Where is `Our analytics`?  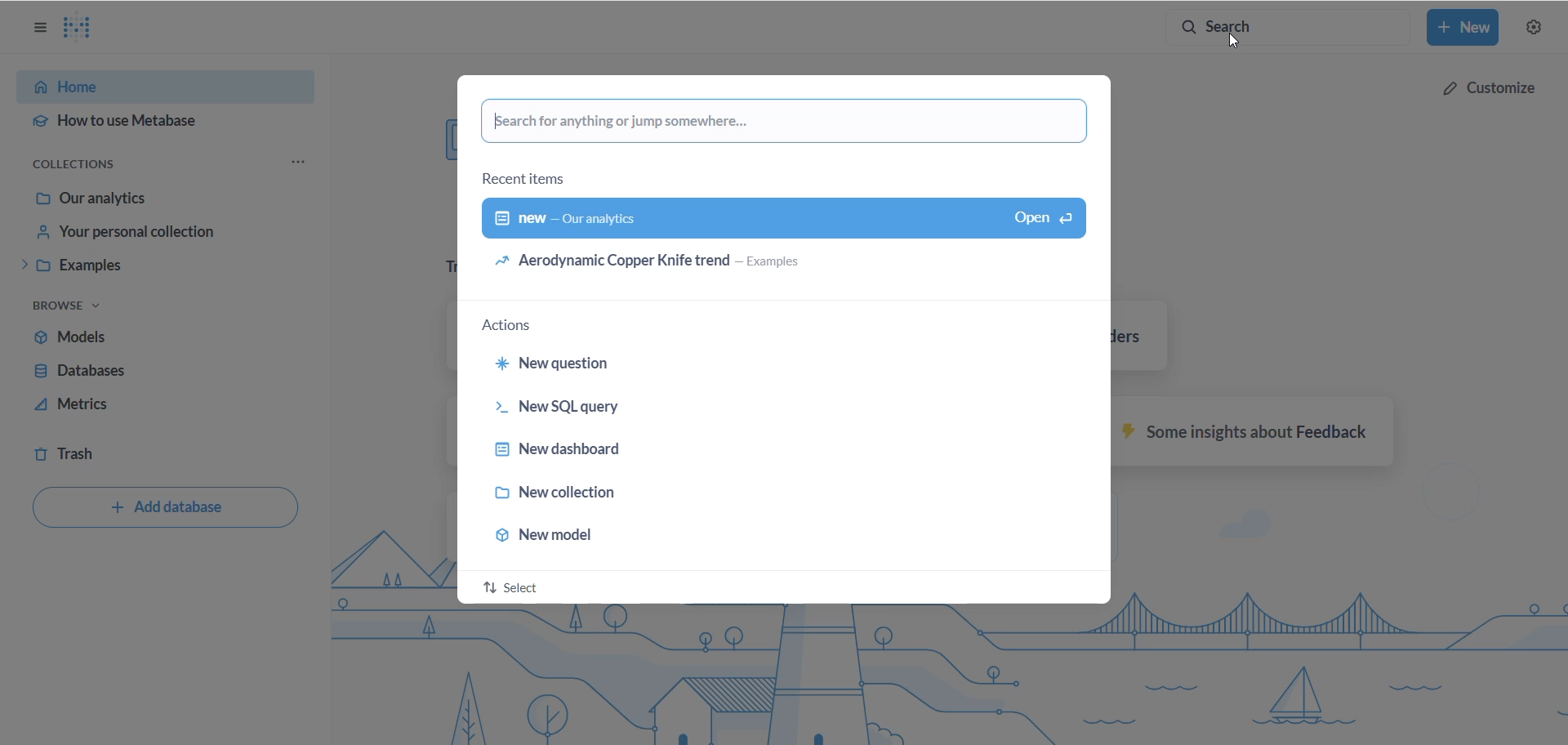 Our analytics is located at coordinates (154, 199).